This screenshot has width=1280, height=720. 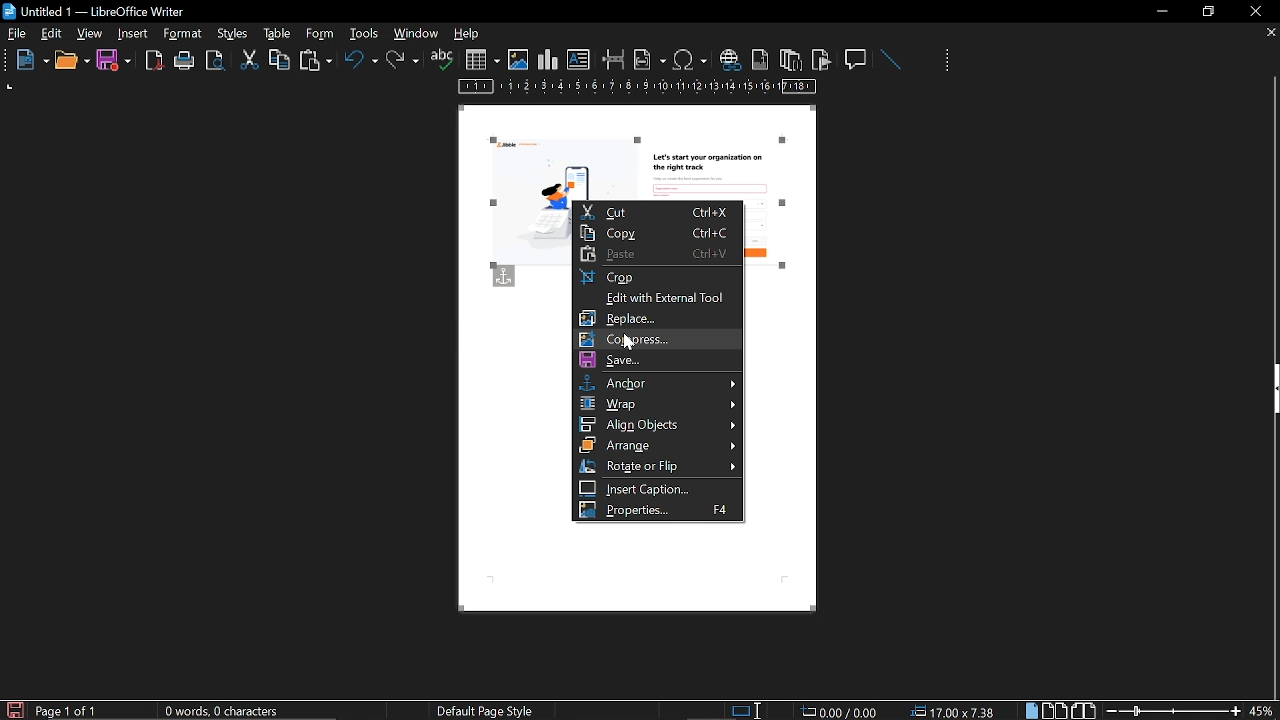 What do you see at coordinates (361, 63) in the screenshot?
I see `undo` at bounding box center [361, 63].